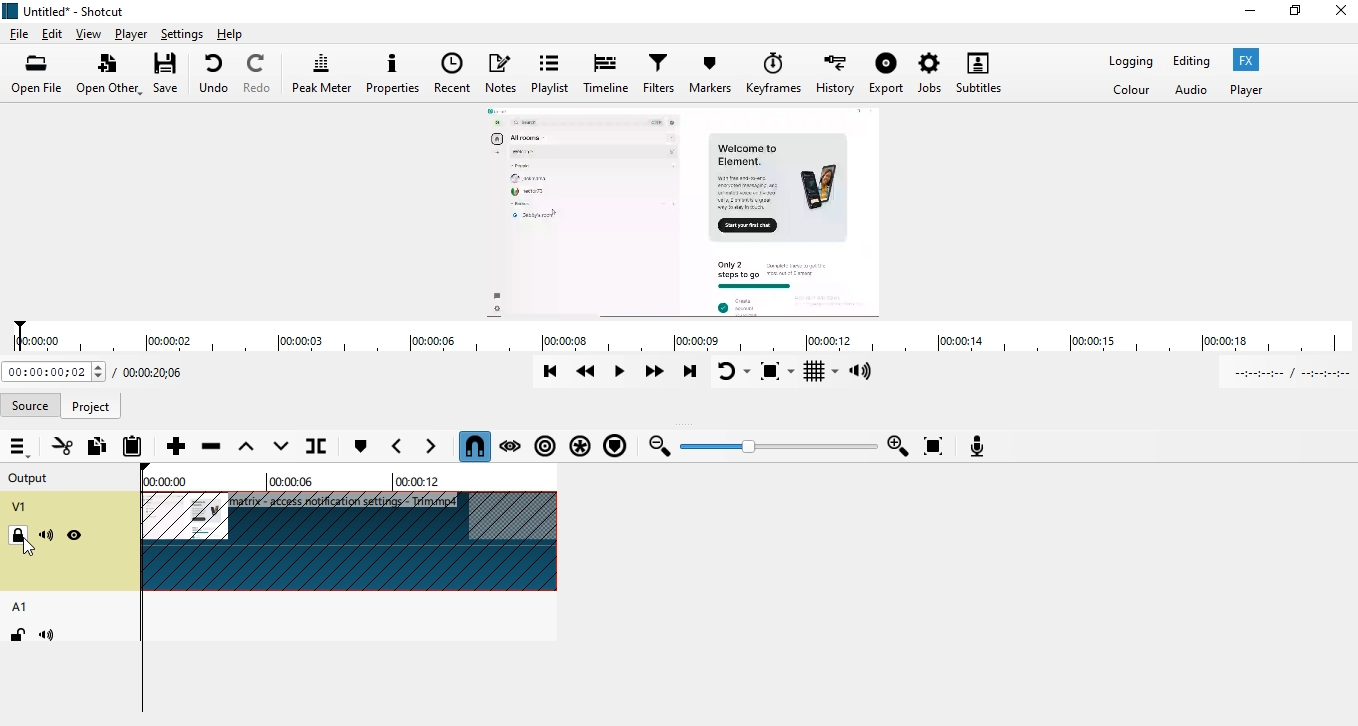 The width and height of the screenshot is (1358, 726). What do you see at coordinates (932, 445) in the screenshot?
I see `zoom timeline to fit` at bounding box center [932, 445].